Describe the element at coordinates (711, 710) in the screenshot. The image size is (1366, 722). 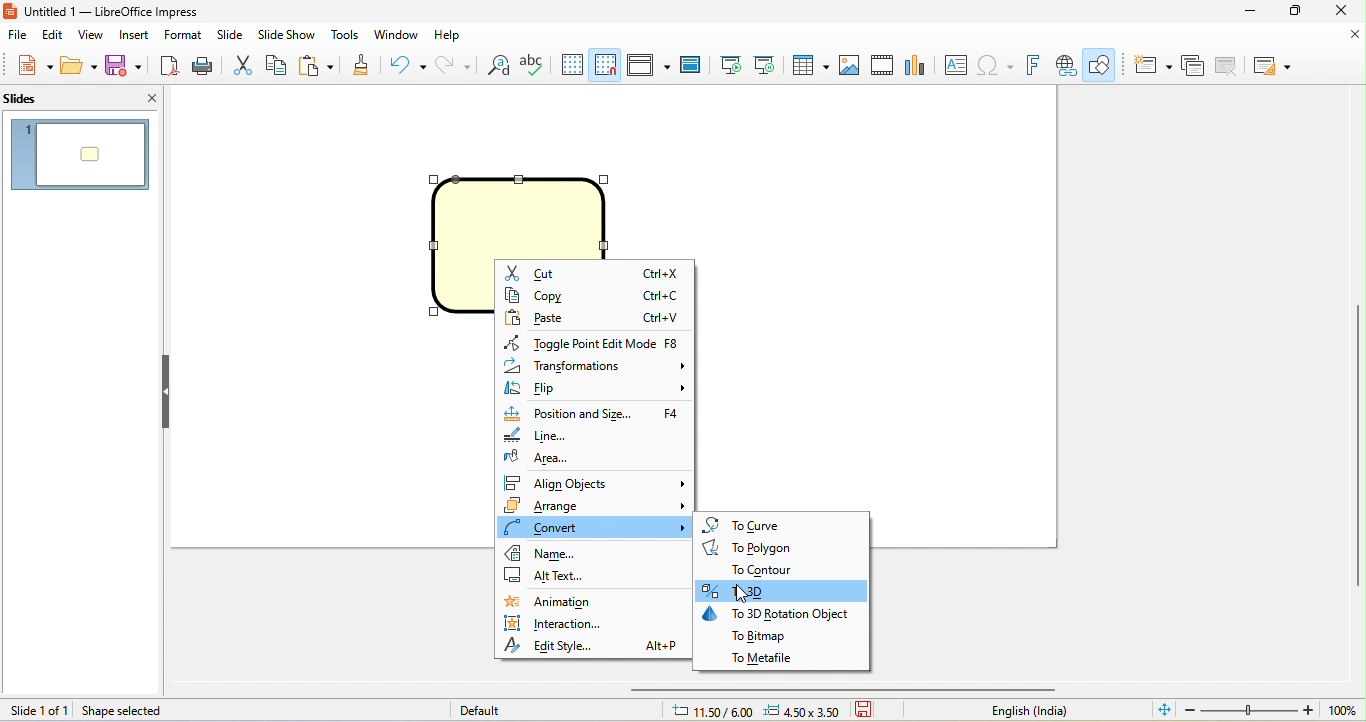
I see `11.50/6.00` at that location.